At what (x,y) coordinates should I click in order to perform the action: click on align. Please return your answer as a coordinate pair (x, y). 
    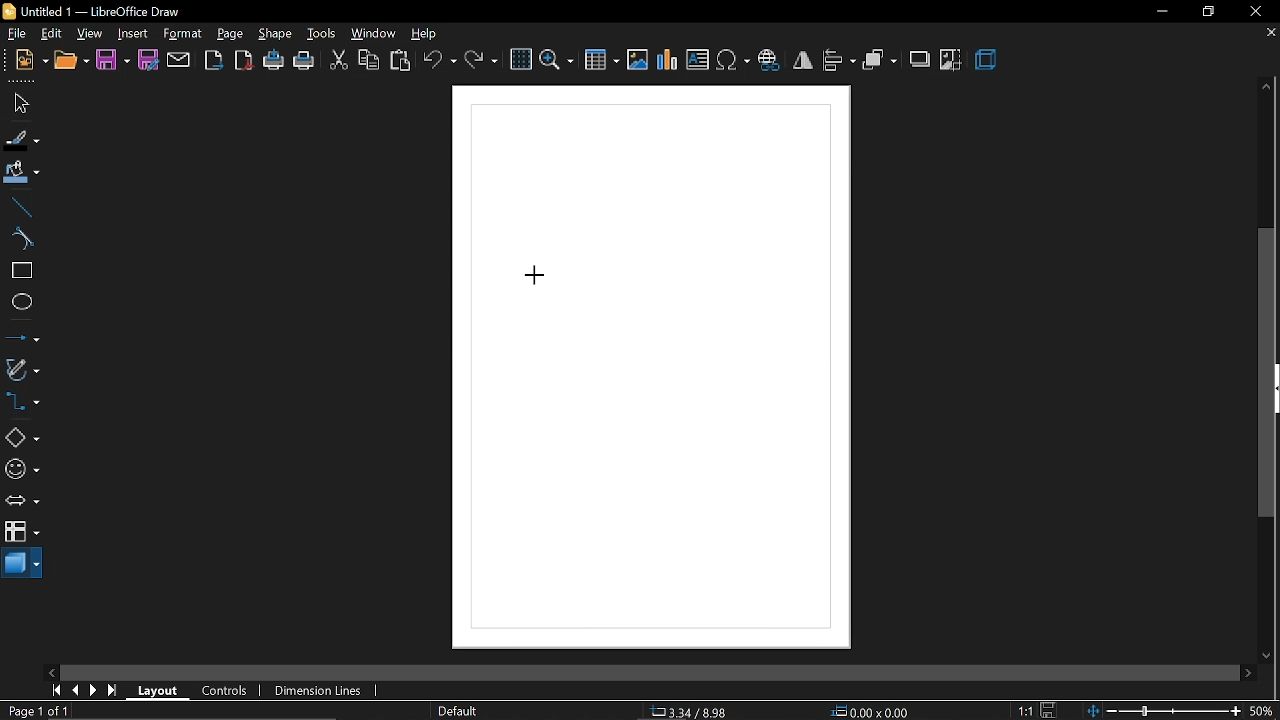
    Looking at the image, I should click on (839, 62).